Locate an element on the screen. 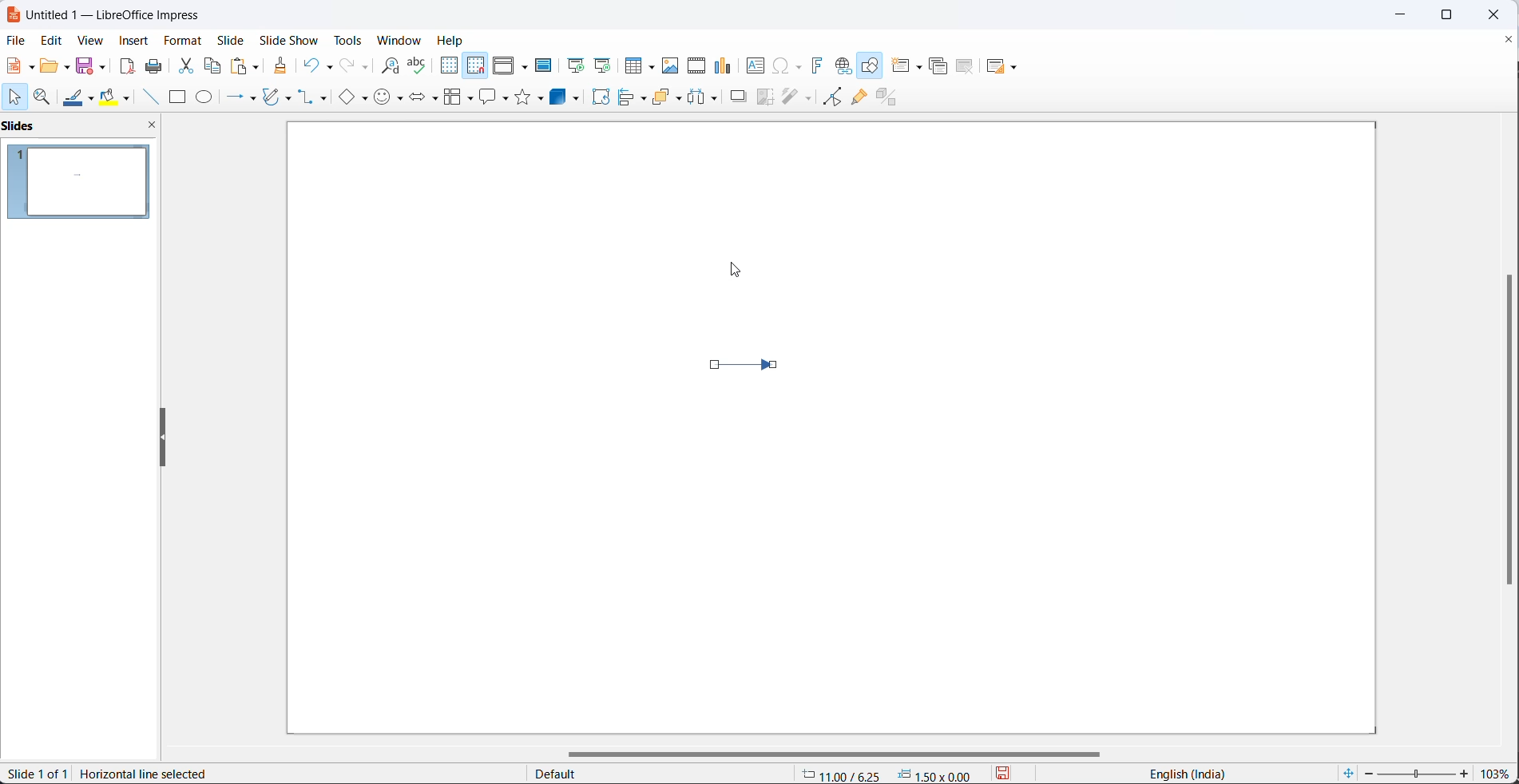 The width and height of the screenshot is (1519, 784). fit slide to current window is located at coordinates (1346, 774).